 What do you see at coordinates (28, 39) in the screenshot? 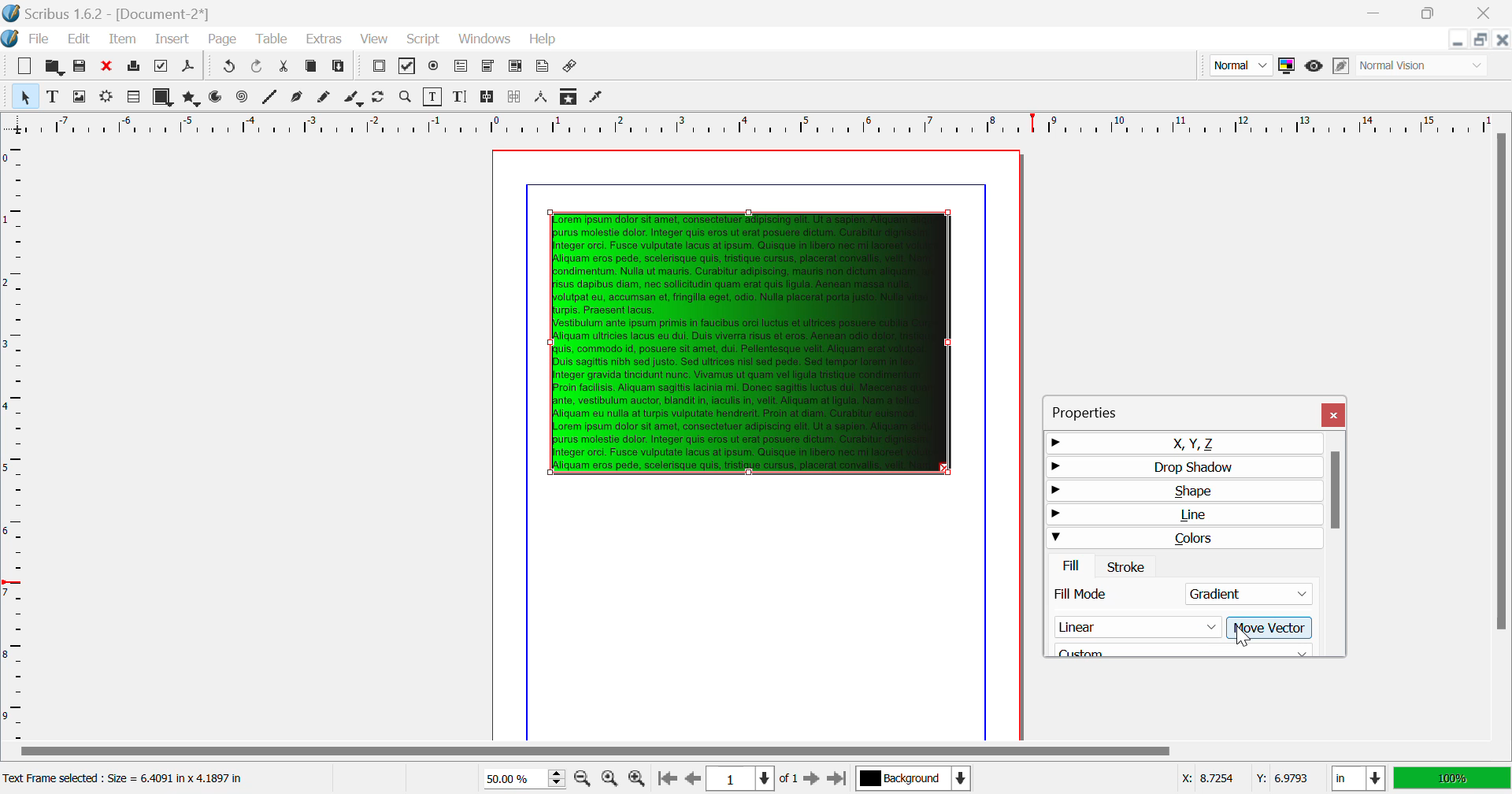
I see `File` at bounding box center [28, 39].